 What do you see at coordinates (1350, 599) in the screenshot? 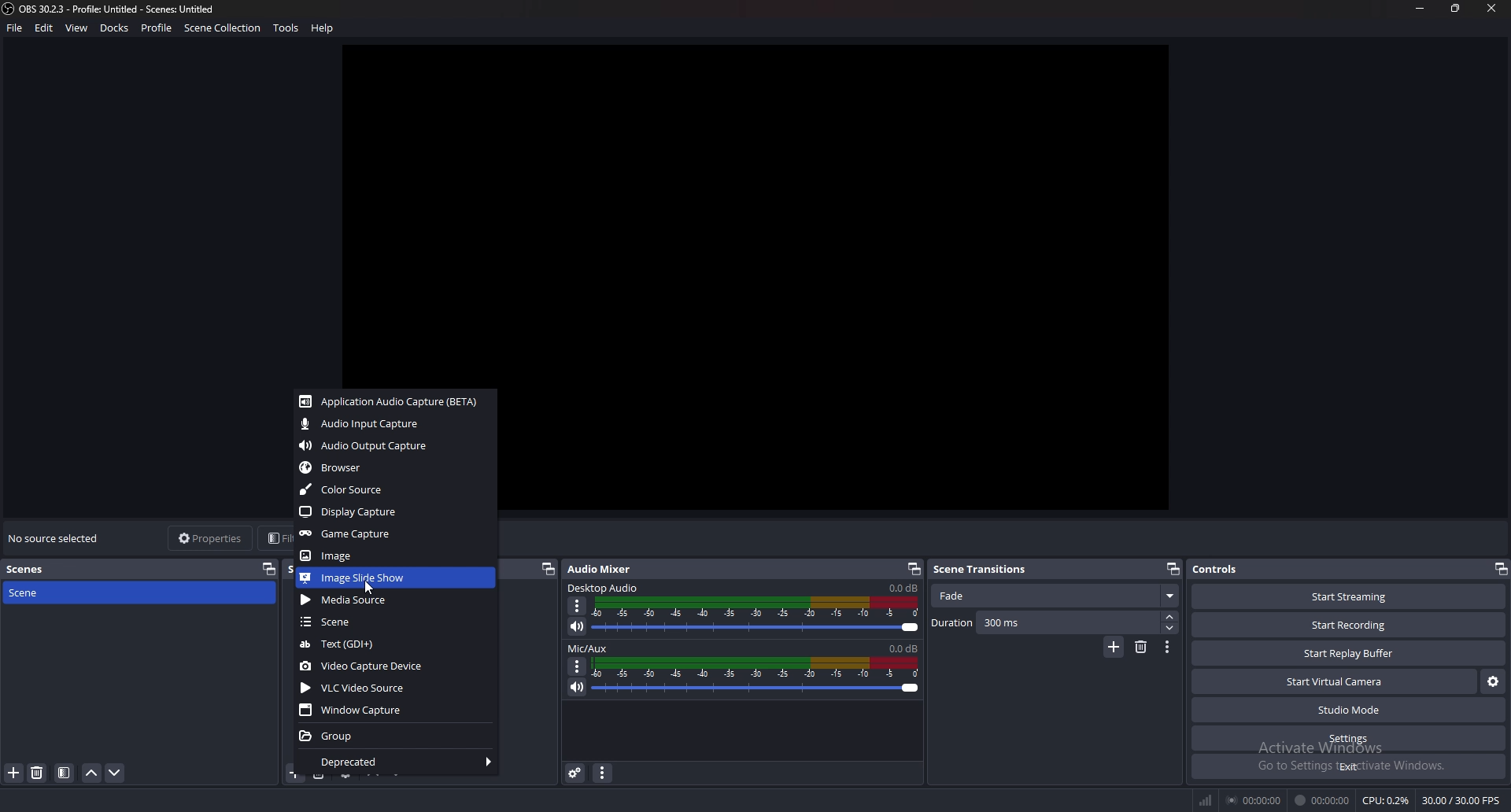
I see `start streaming` at bounding box center [1350, 599].